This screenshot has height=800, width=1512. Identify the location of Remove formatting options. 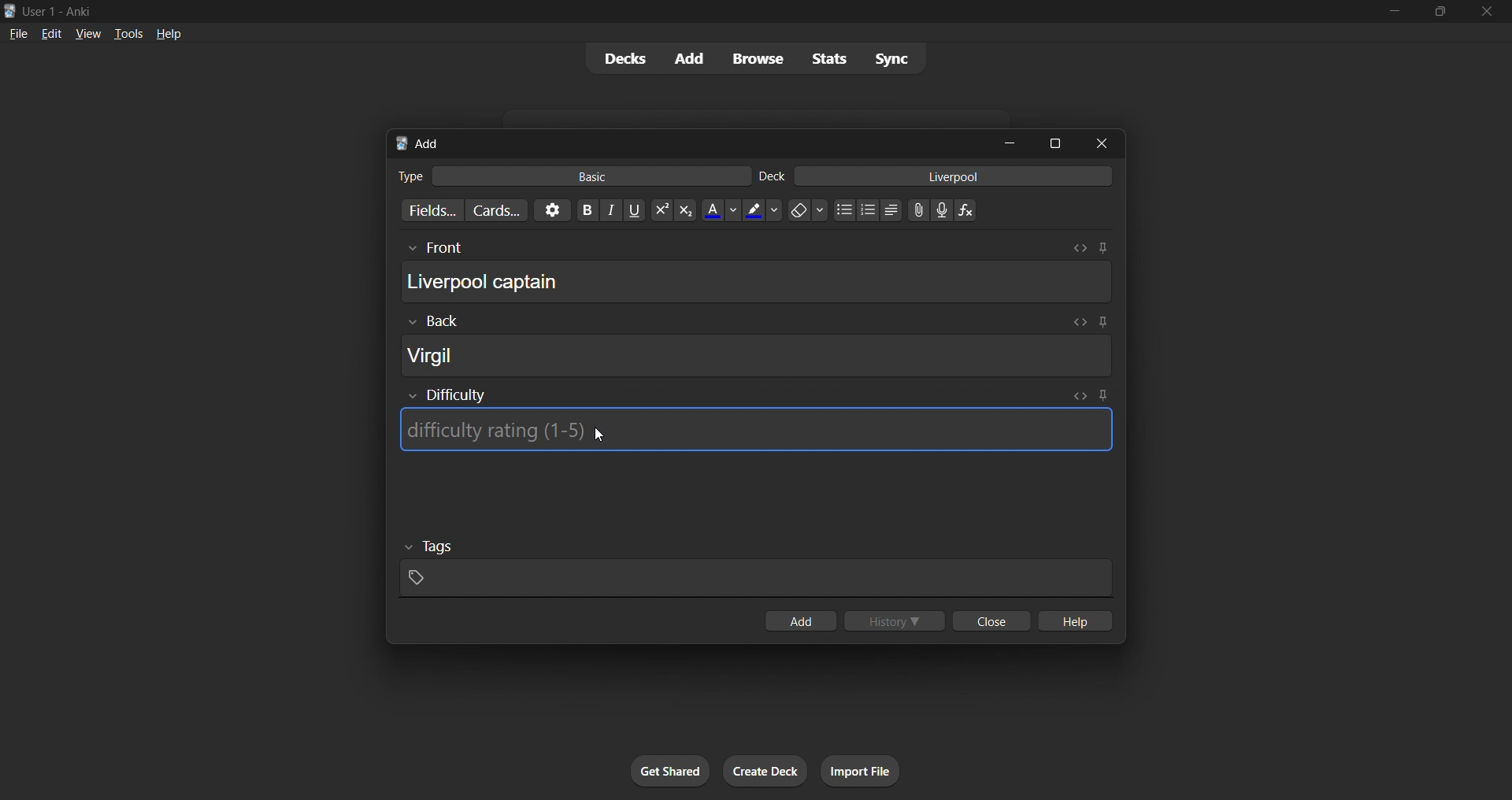
(809, 210).